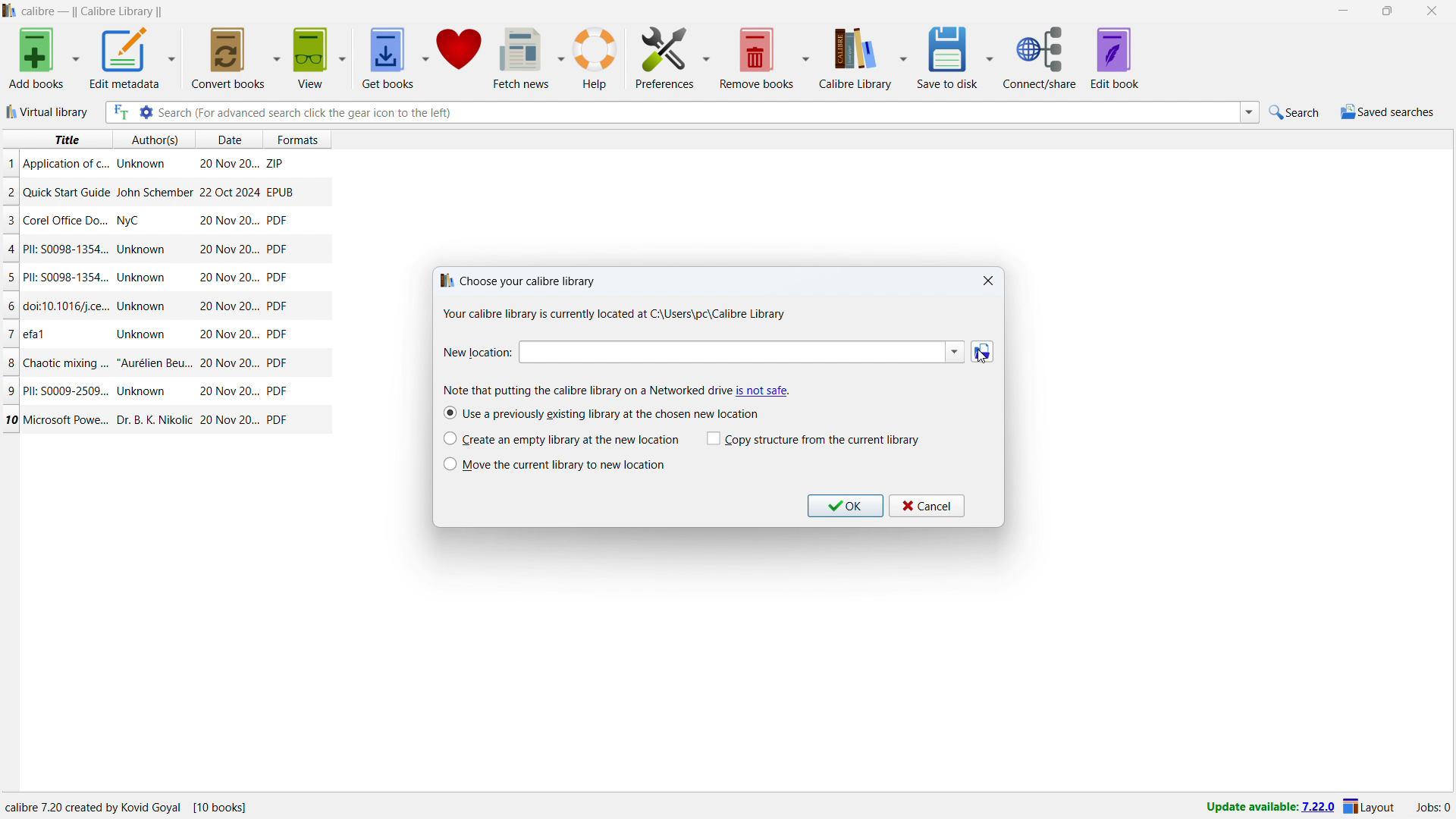 The width and height of the screenshot is (1456, 819). What do you see at coordinates (523, 57) in the screenshot?
I see `fetch news` at bounding box center [523, 57].